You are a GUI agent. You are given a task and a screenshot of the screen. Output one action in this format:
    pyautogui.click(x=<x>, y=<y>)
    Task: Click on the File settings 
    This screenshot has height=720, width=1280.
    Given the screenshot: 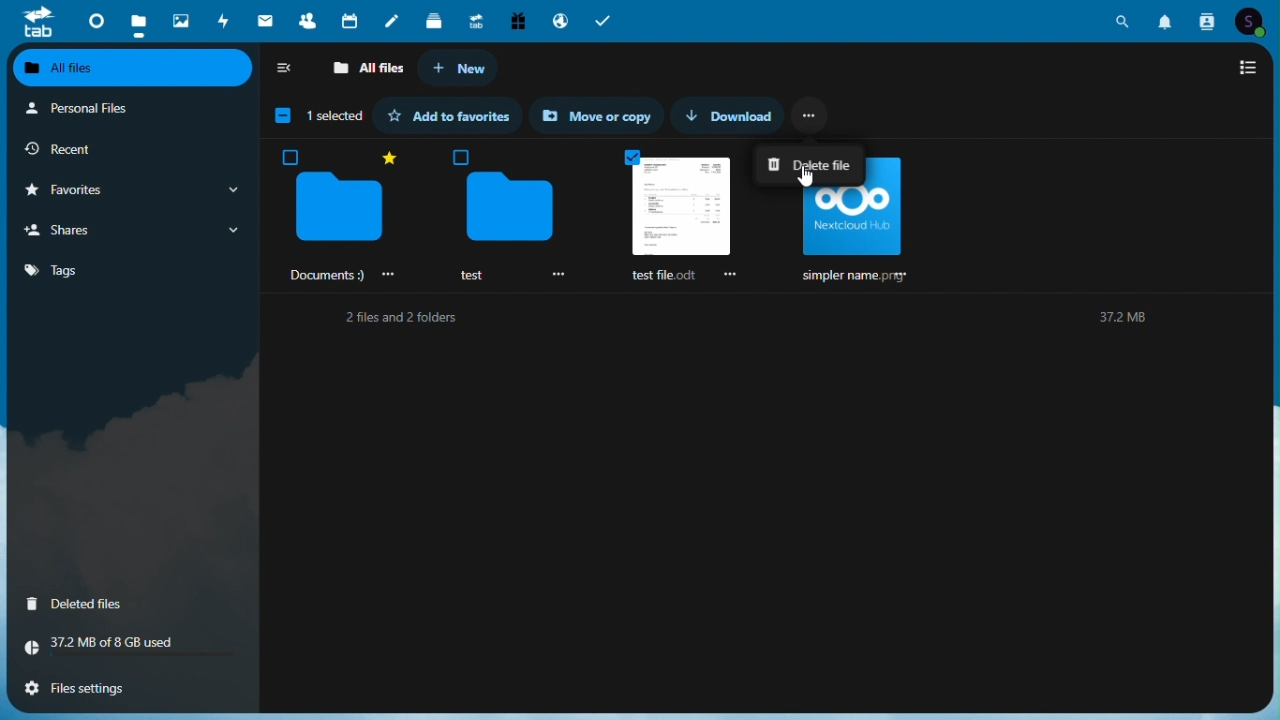 What is the action you would take?
    pyautogui.click(x=124, y=692)
    